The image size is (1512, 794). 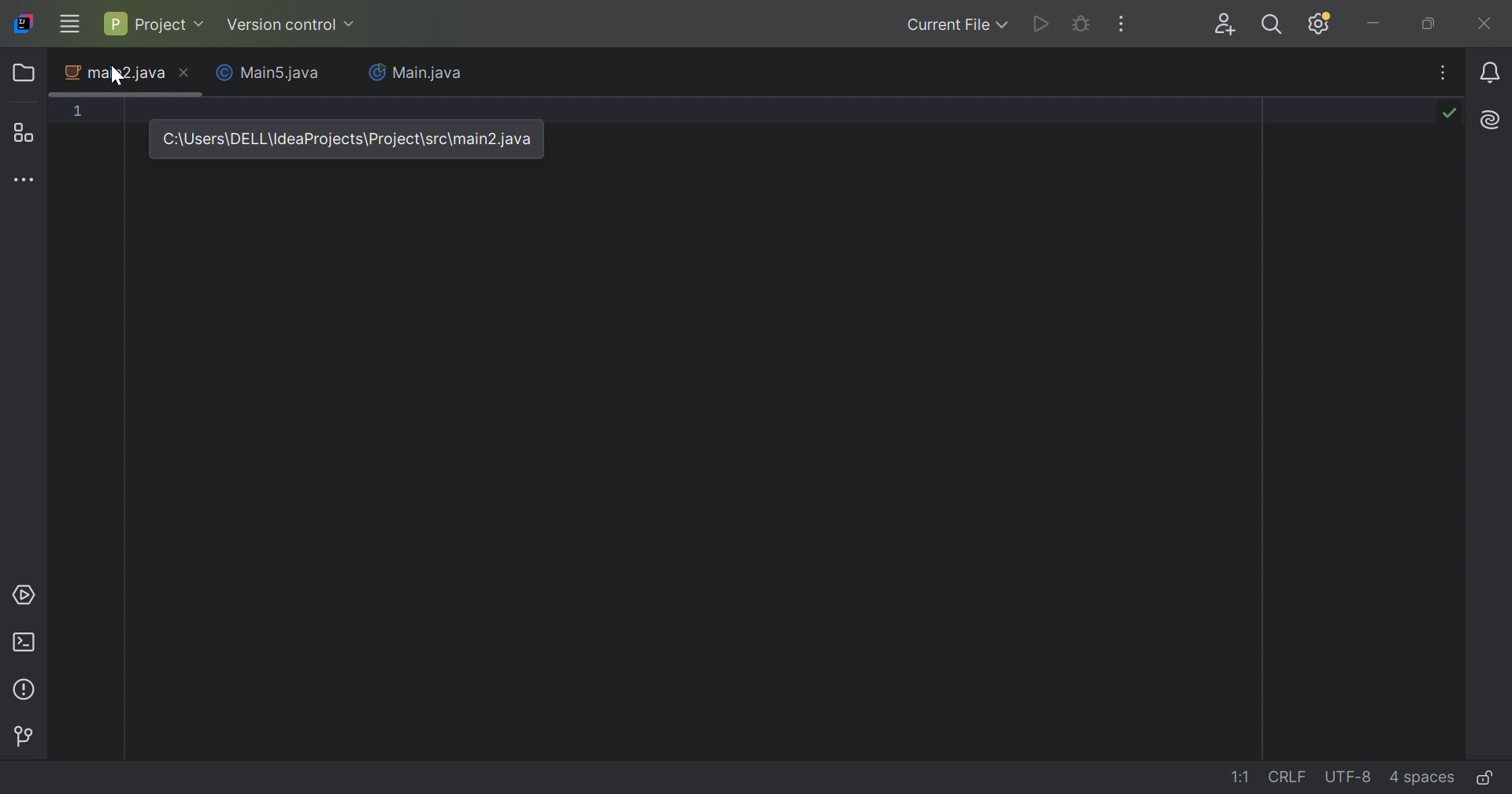 I want to click on C:\Users\DELL\IdeaProjects\Project\src\main2.java, so click(x=345, y=137).